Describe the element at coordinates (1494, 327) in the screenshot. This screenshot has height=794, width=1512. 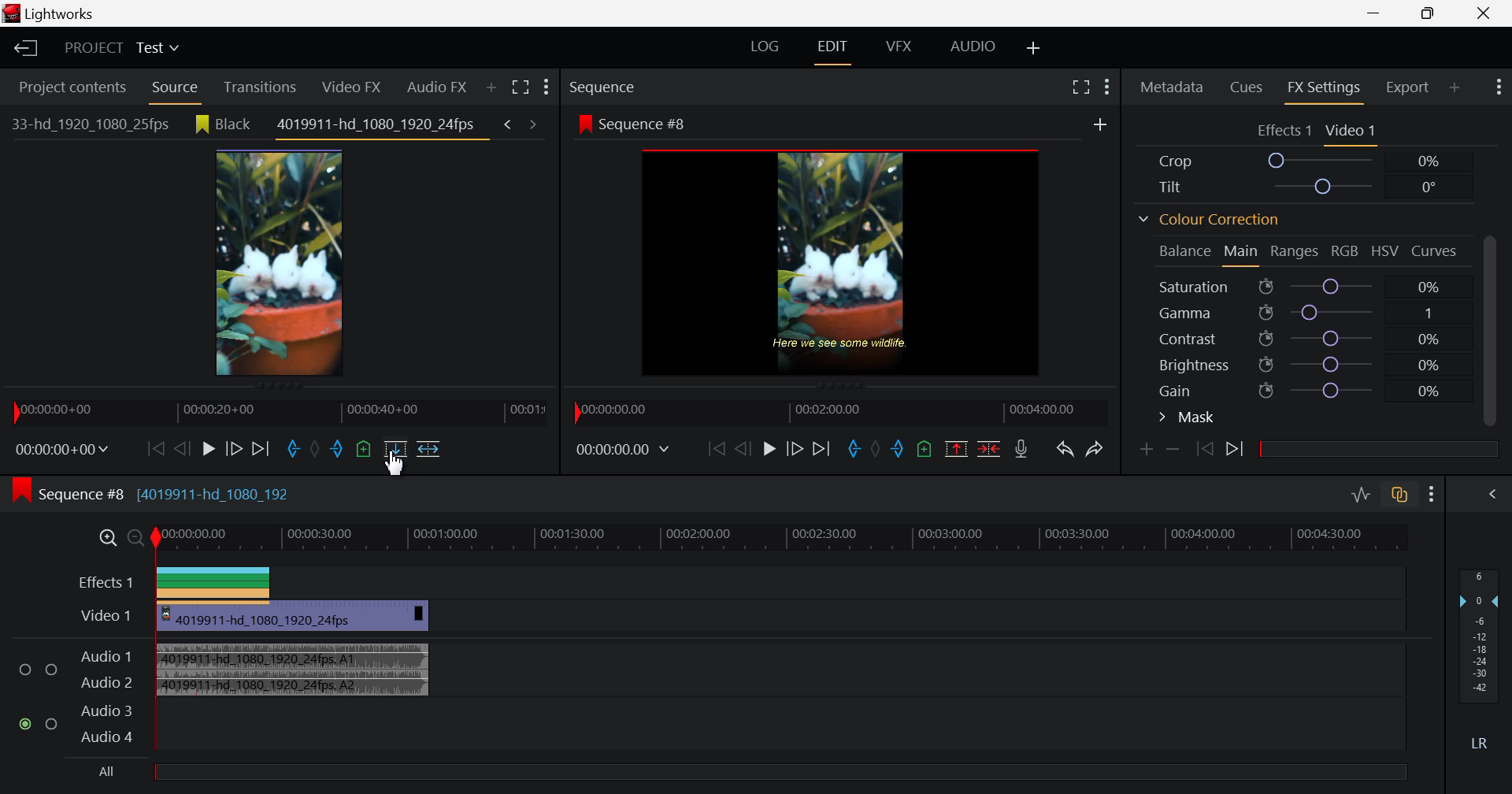
I see `Scroll bar` at that location.